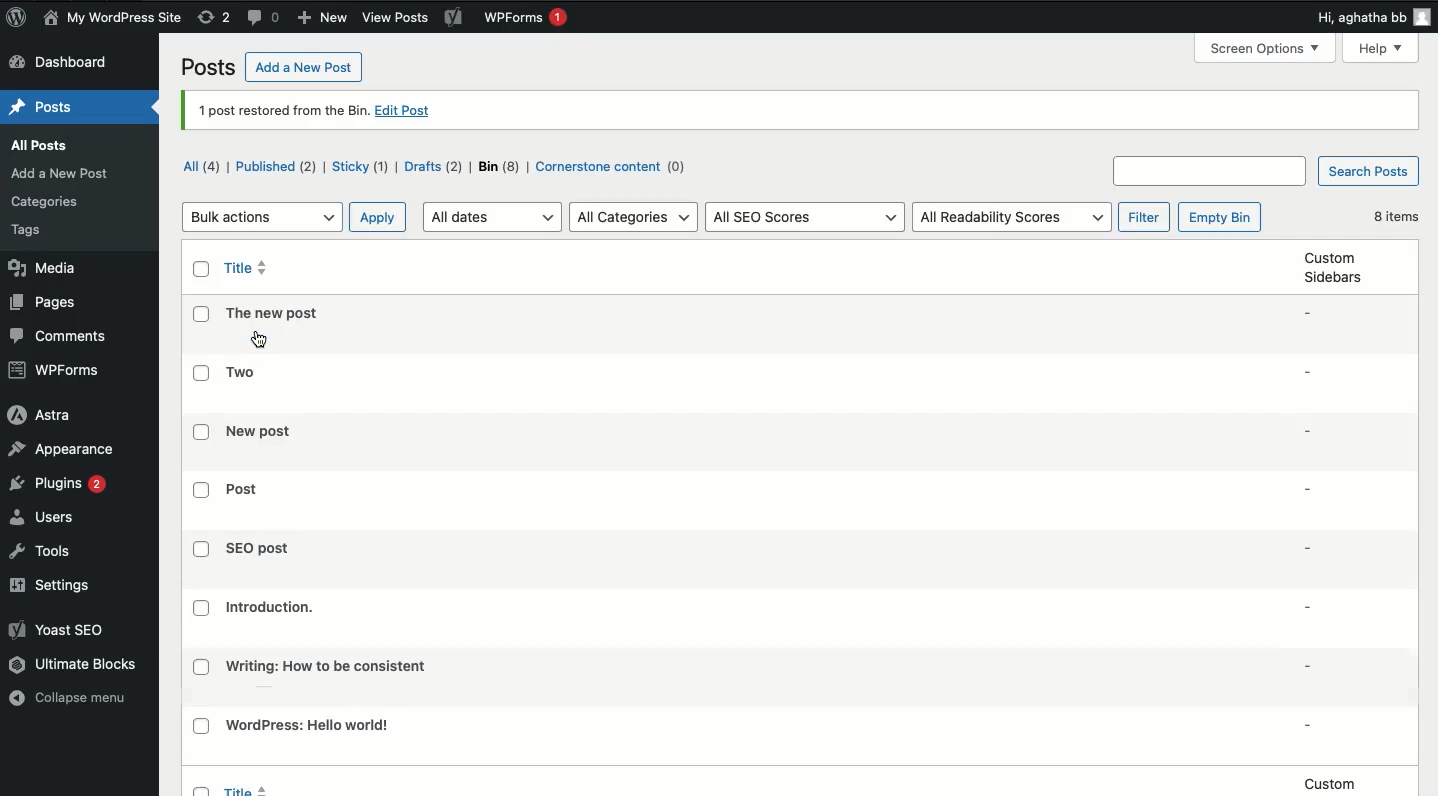 This screenshot has height=796, width=1438. What do you see at coordinates (304, 68) in the screenshot?
I see `Add a new post` at bounding box center [304, 68].